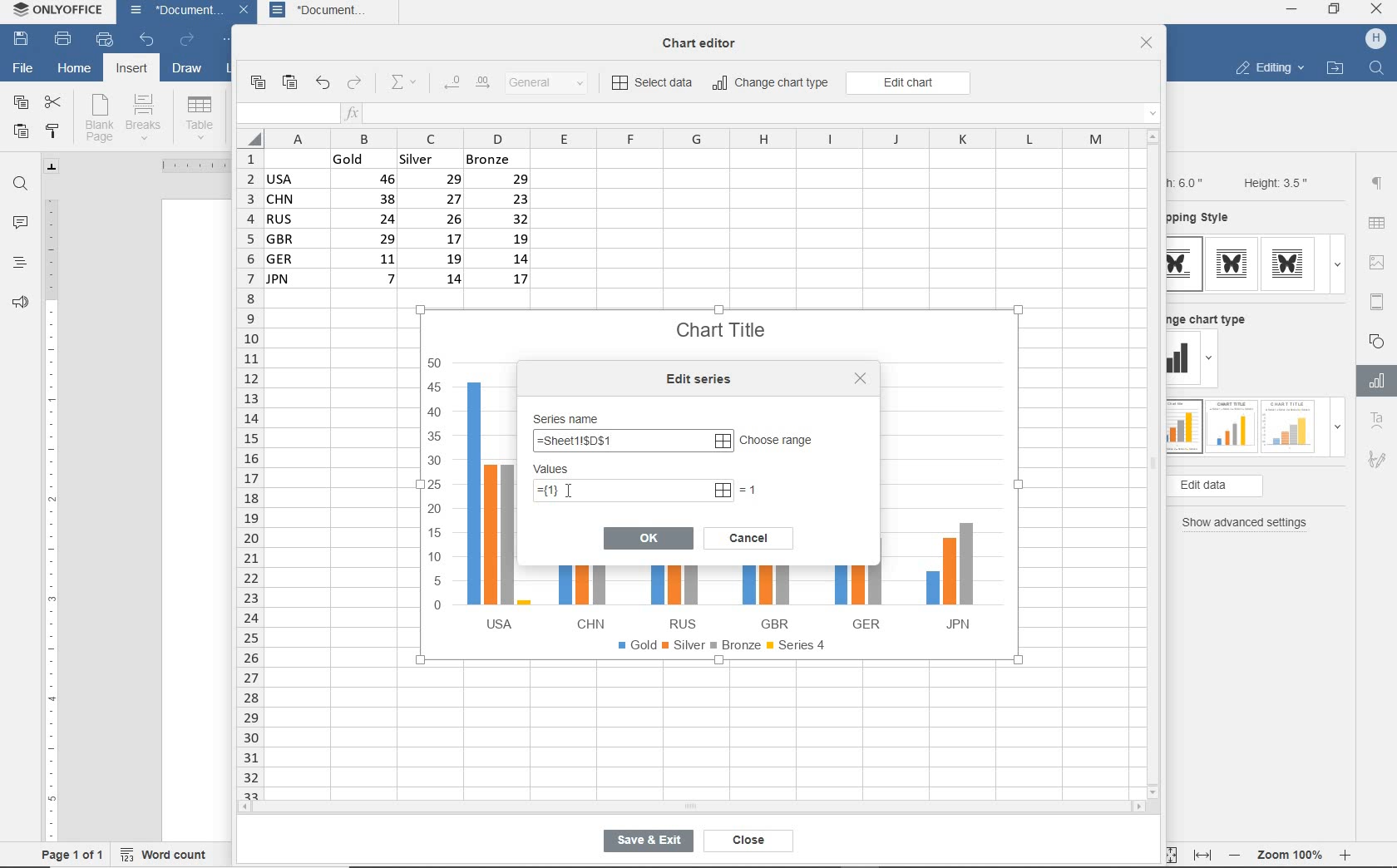  What do you see at coordinates (568, 470) in the screenshot?
I see `values` at bounding box center [568, 470].